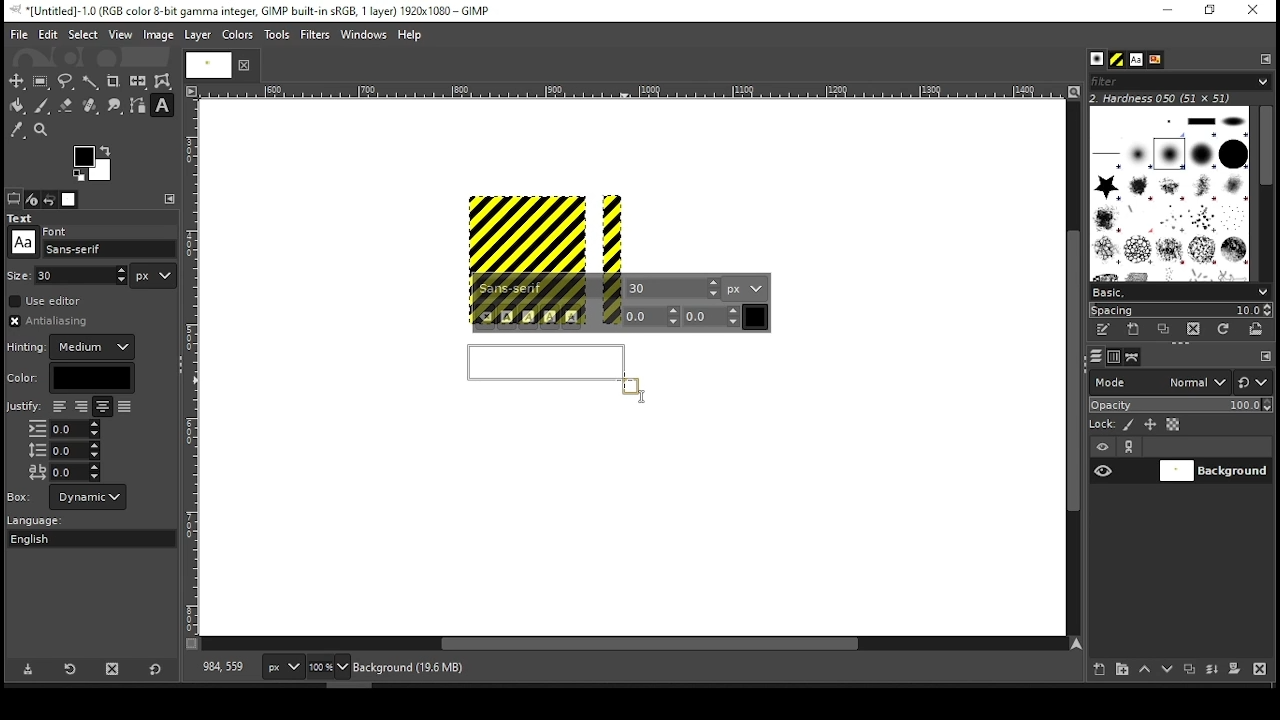 This screenshot has height=720, width=1280. What do you see at coordinates (1169, 329) in the screenshot?
I see `duplicate this brush` at bounding box center [1169, 329].